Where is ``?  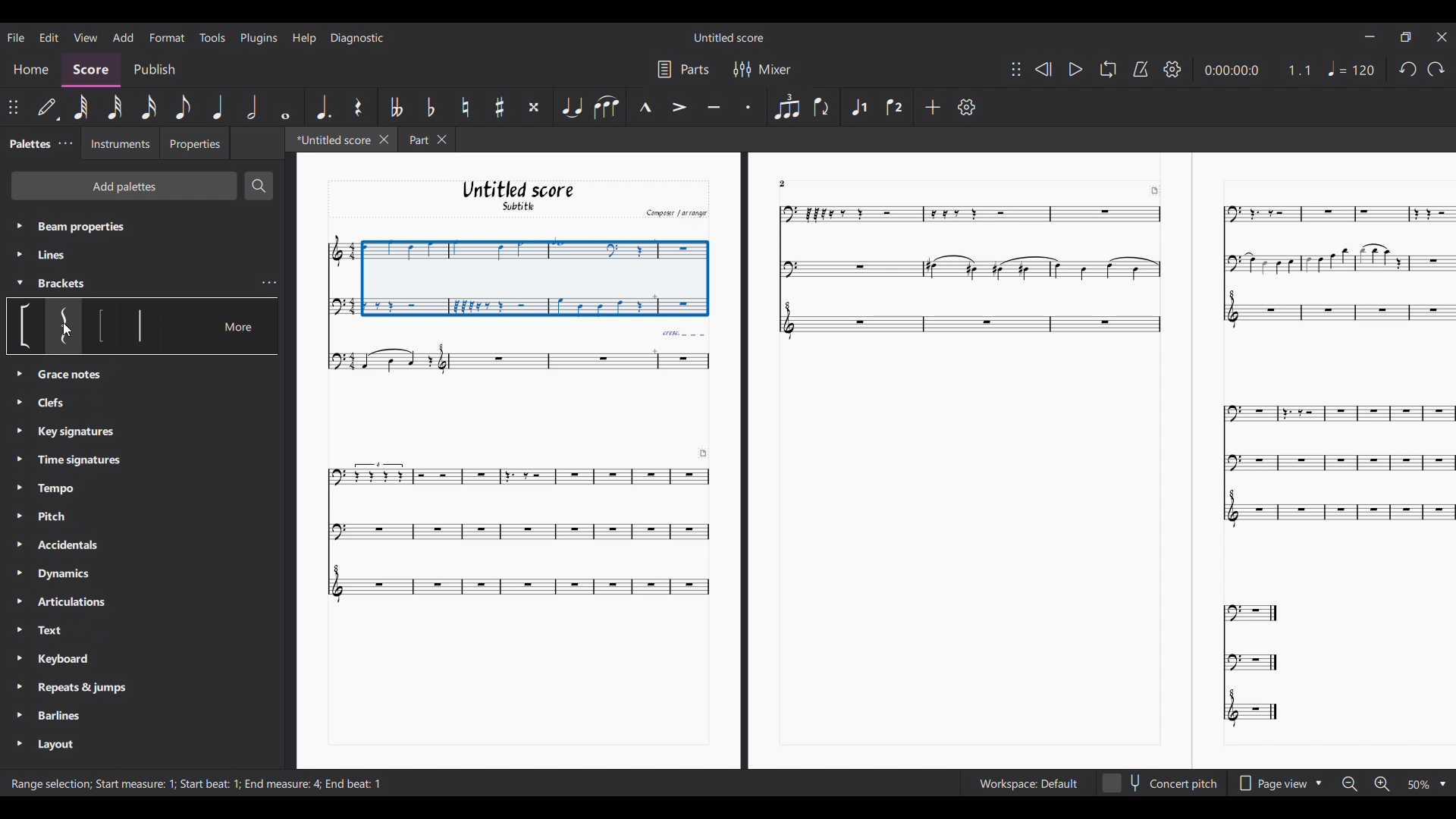
 is located at coordinates (1338, 307).